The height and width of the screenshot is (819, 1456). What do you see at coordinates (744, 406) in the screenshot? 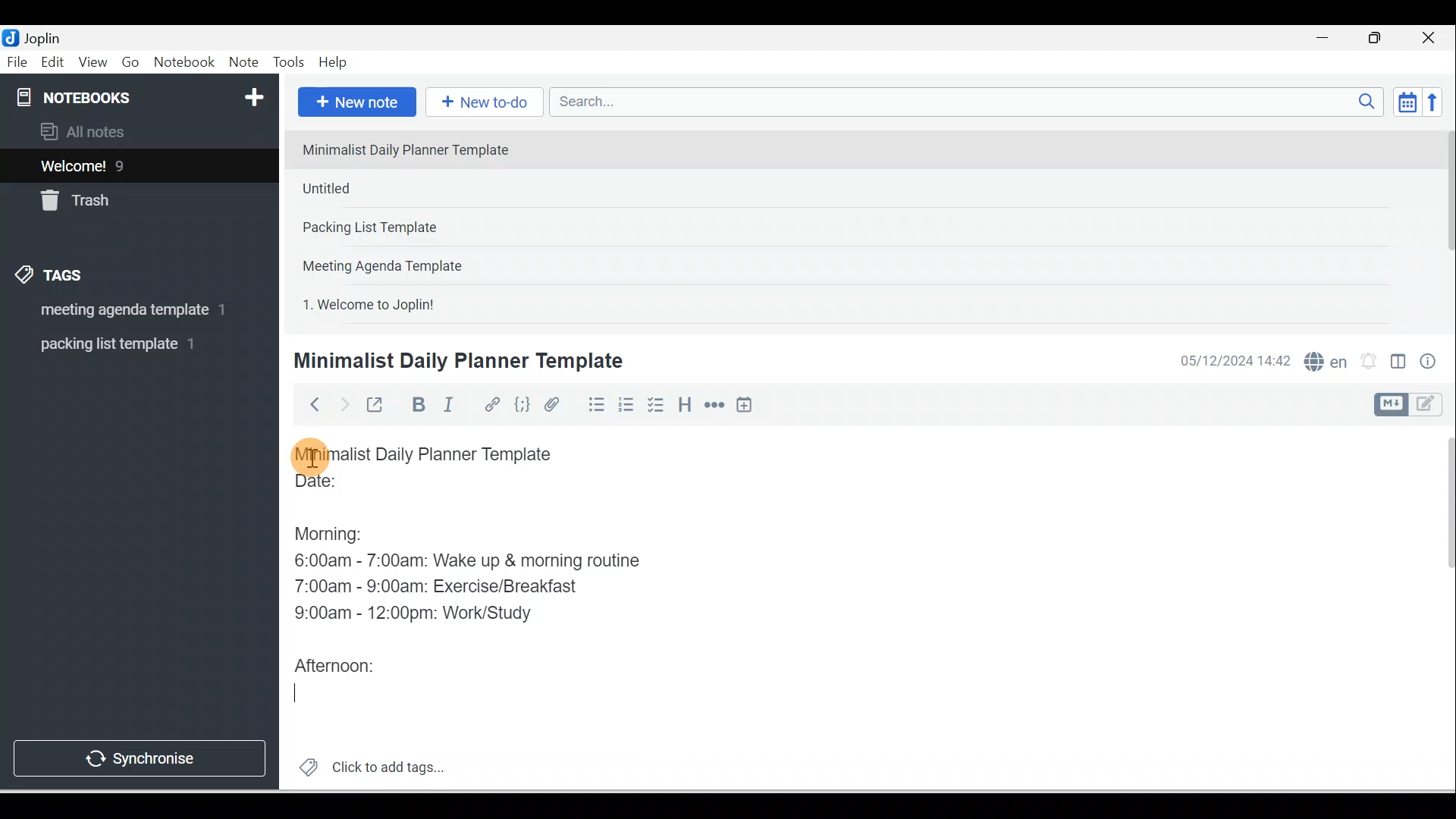
I see `Insert time` at bounding box center [744, 406].